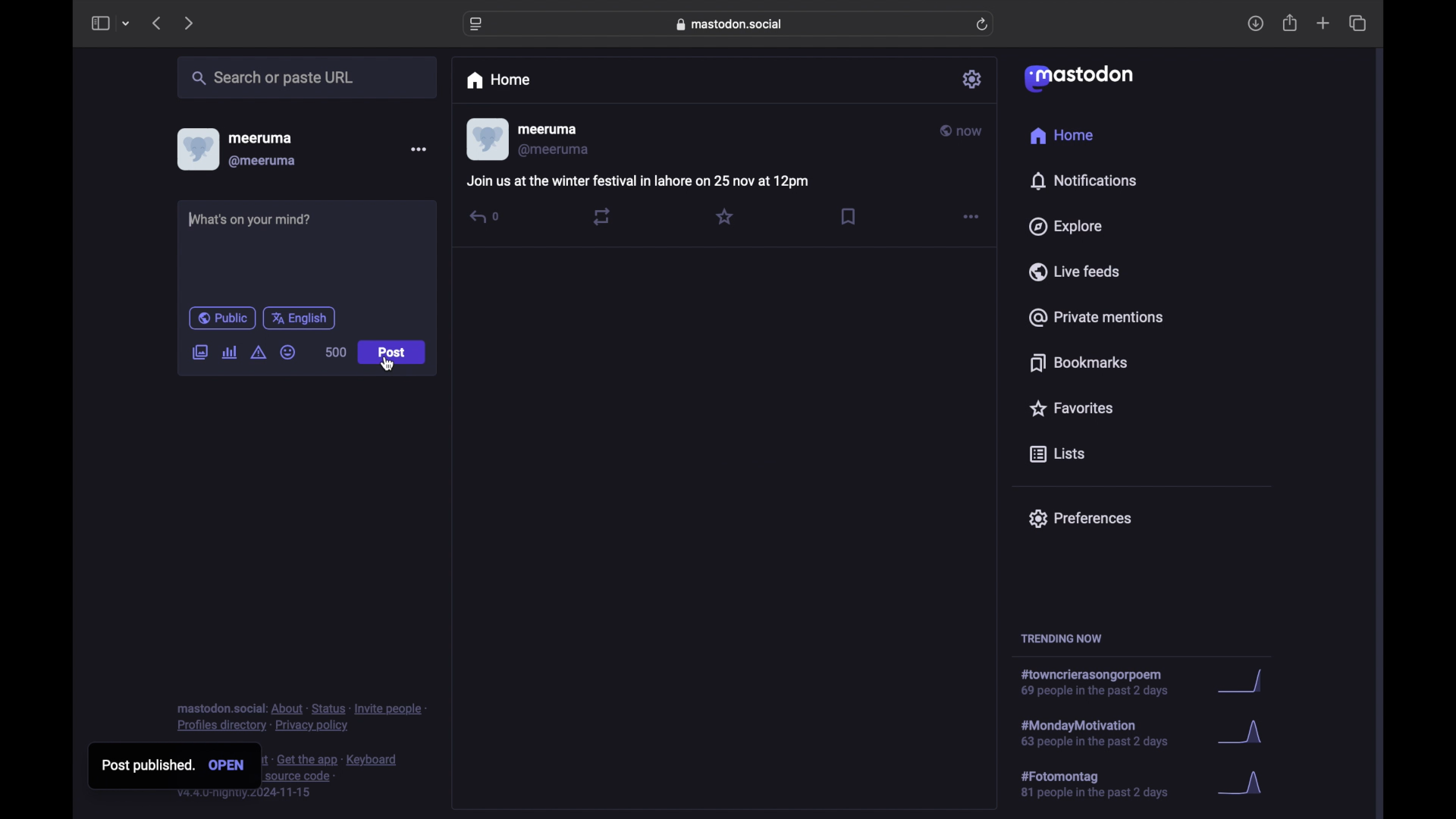 Image resolution: width=1456 pixels, height=819 pixels. I want to click on foot note, so click(333, 774).